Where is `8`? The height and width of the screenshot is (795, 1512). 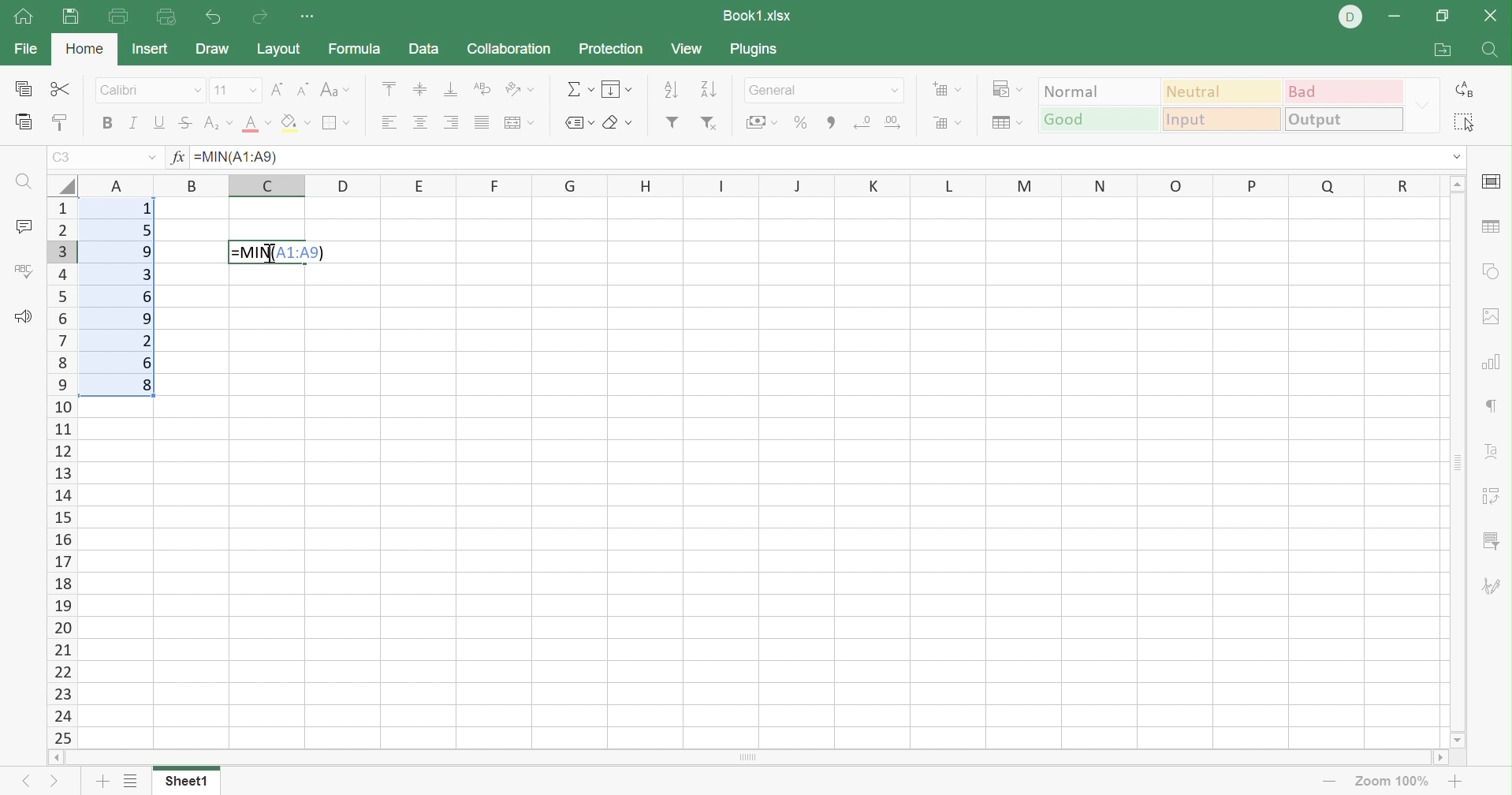
8 is located at coordinates (147, 386).